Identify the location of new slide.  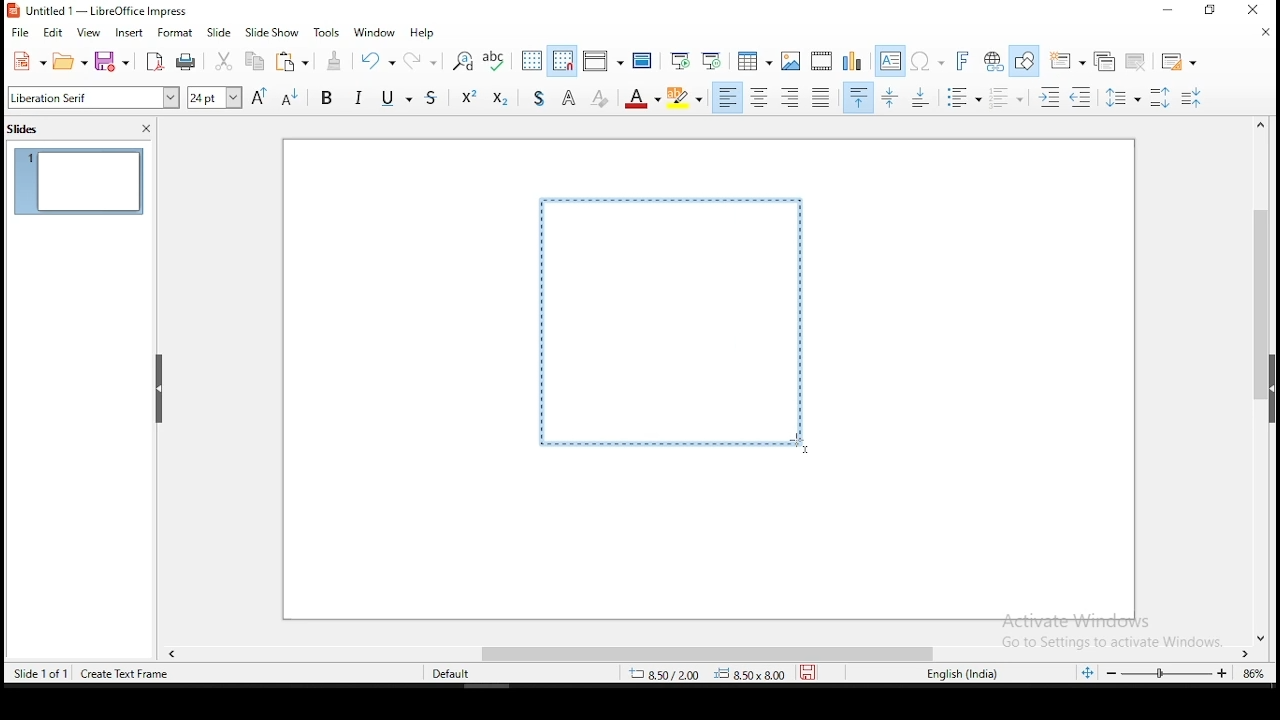
(1066, 60).